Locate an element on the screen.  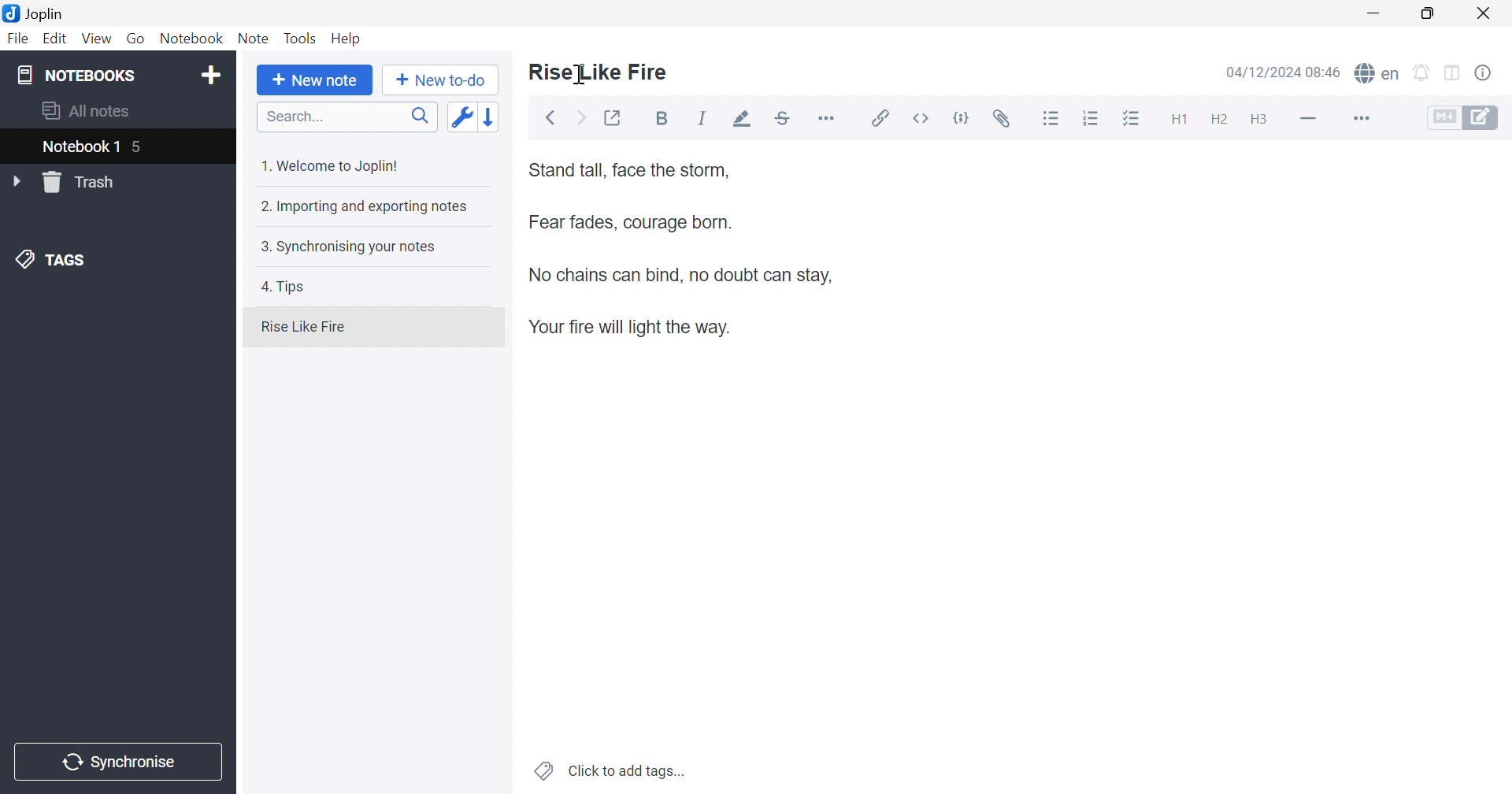
Synchronise is located at coordinates (114, 761).